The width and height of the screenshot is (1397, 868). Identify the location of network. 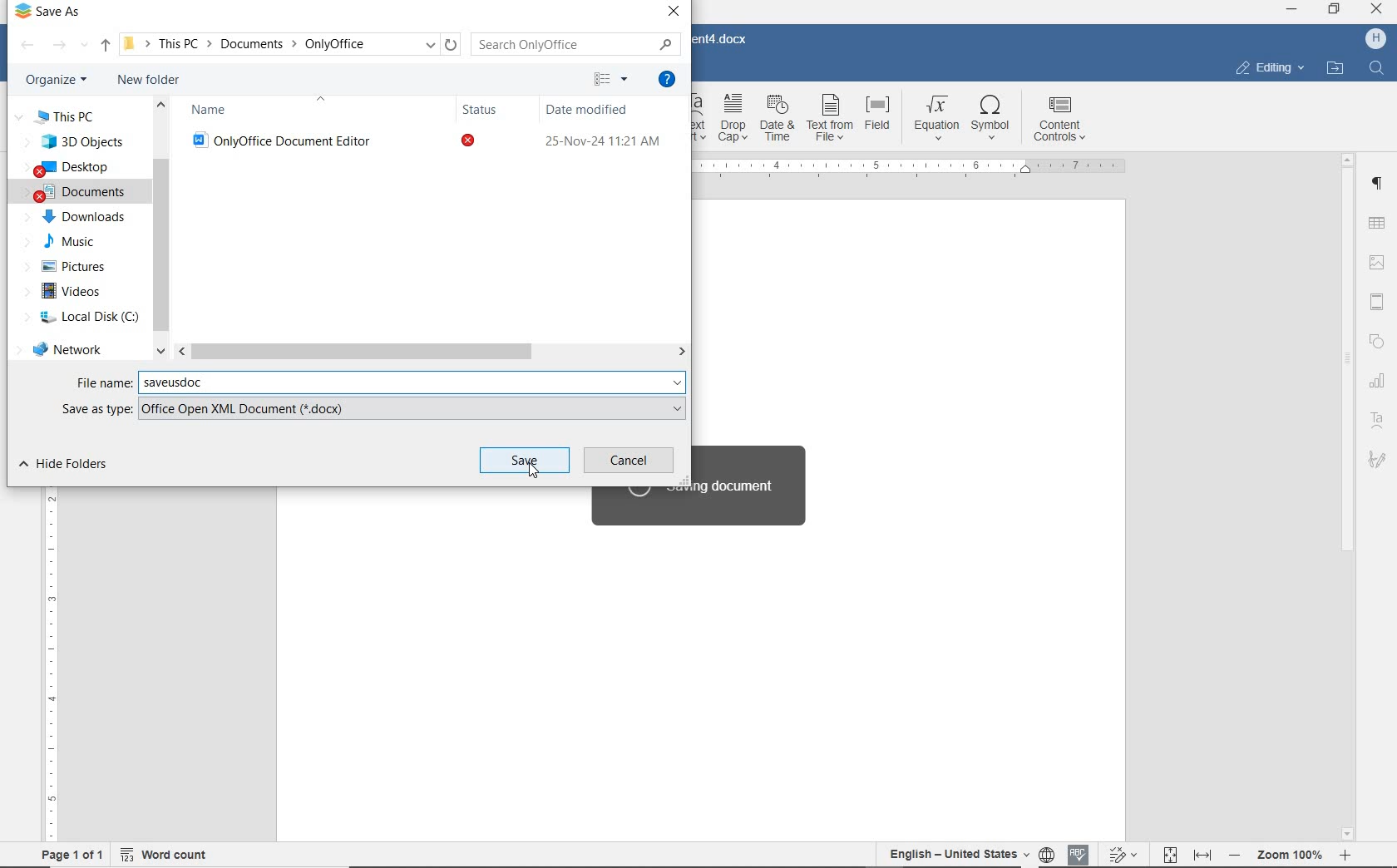
(72, 348).